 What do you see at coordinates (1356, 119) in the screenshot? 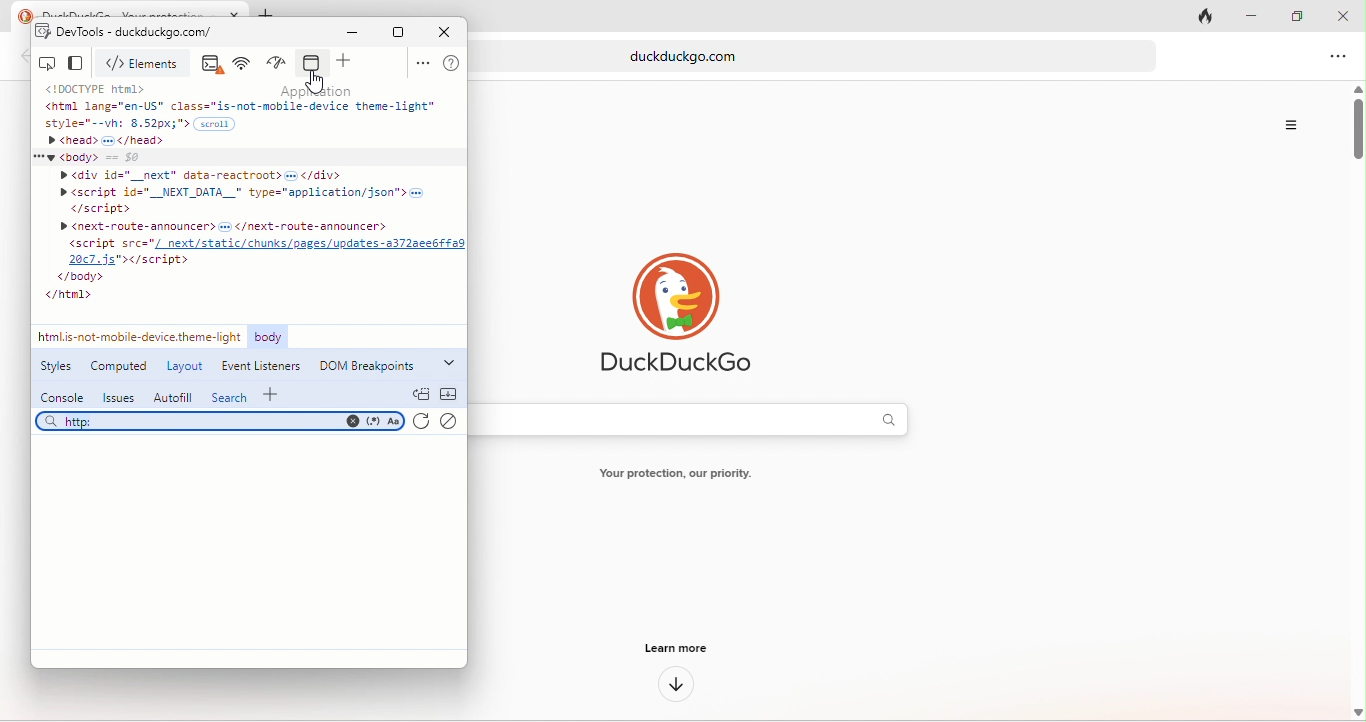
I see `vertical scroll bar` at bounding box center [1356, 119].